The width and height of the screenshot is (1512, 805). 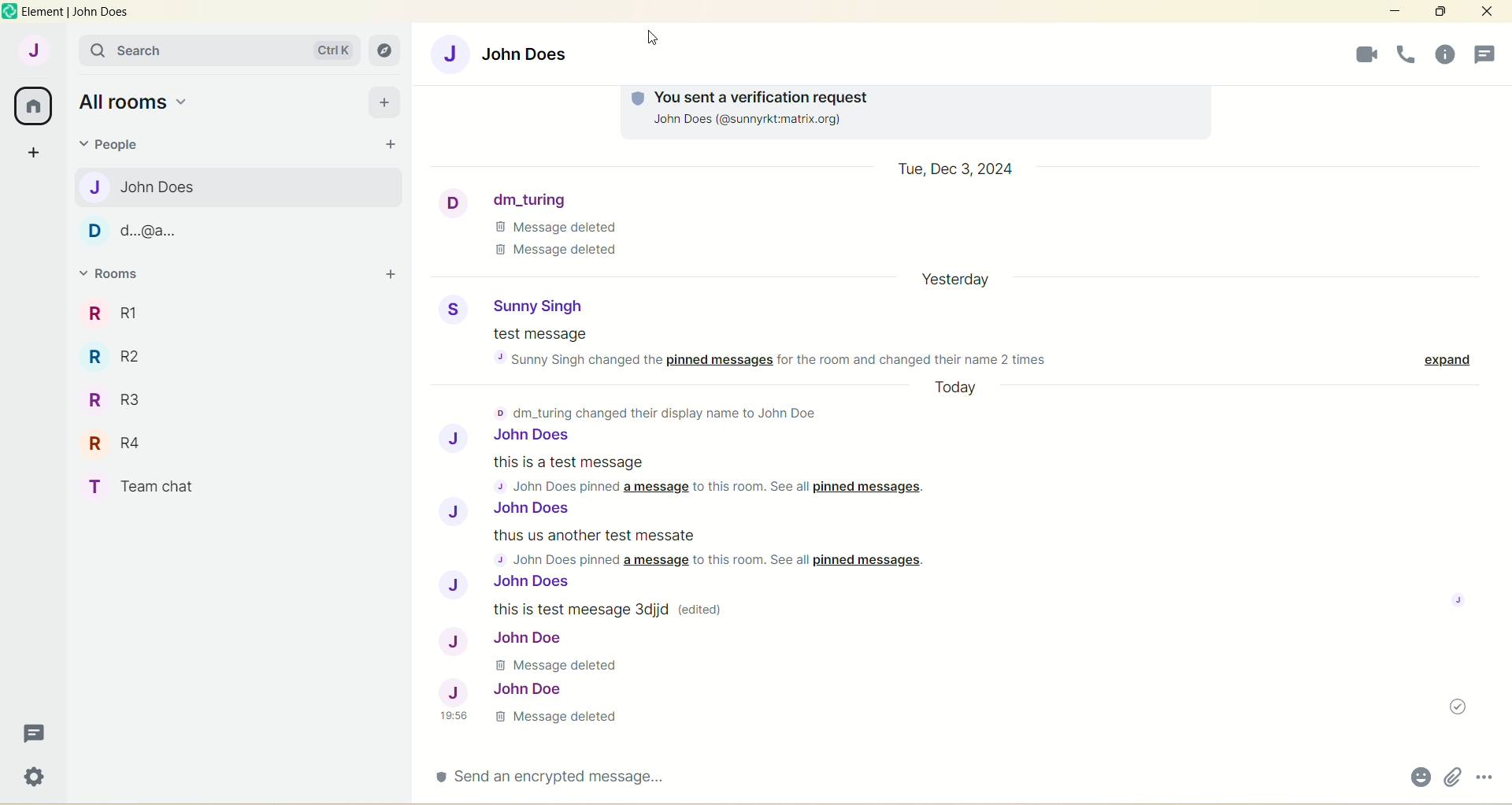 I want to click on R R4, so click(x=117, y=443).